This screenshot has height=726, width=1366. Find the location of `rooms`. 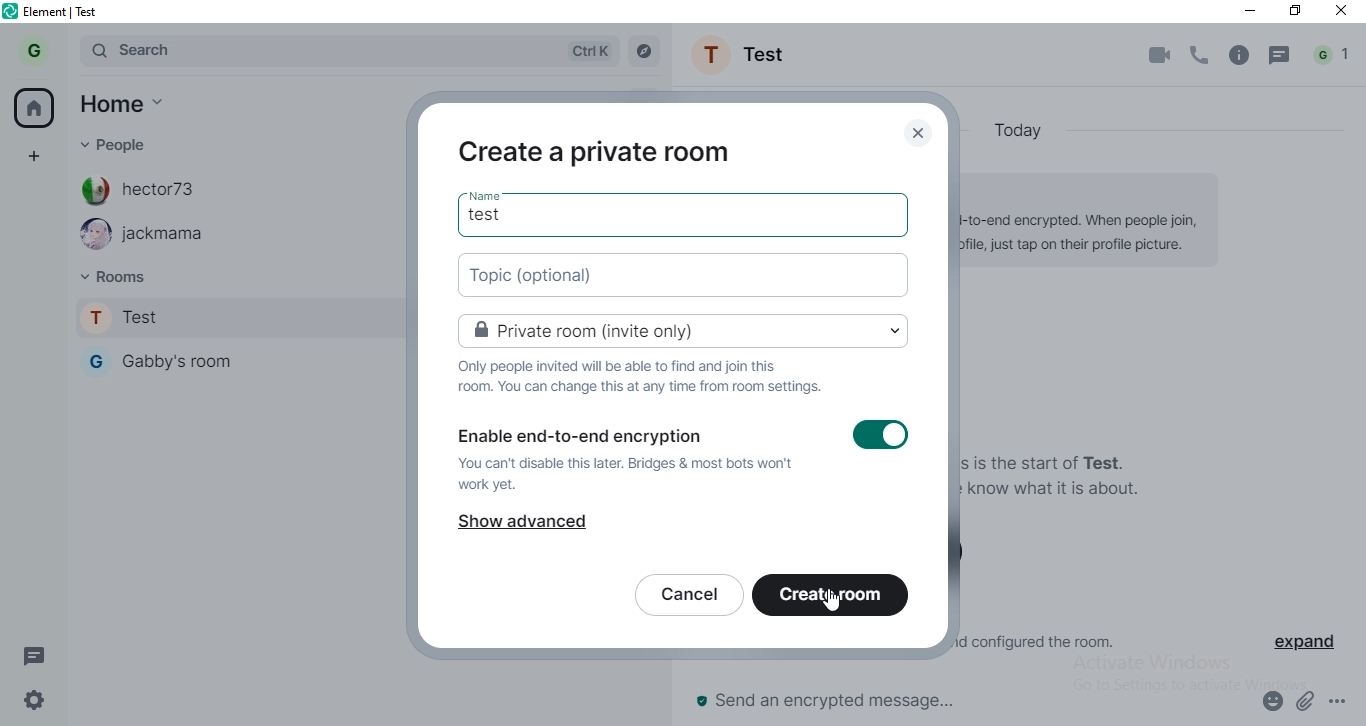

rooms is located at coordinates (133, 275).